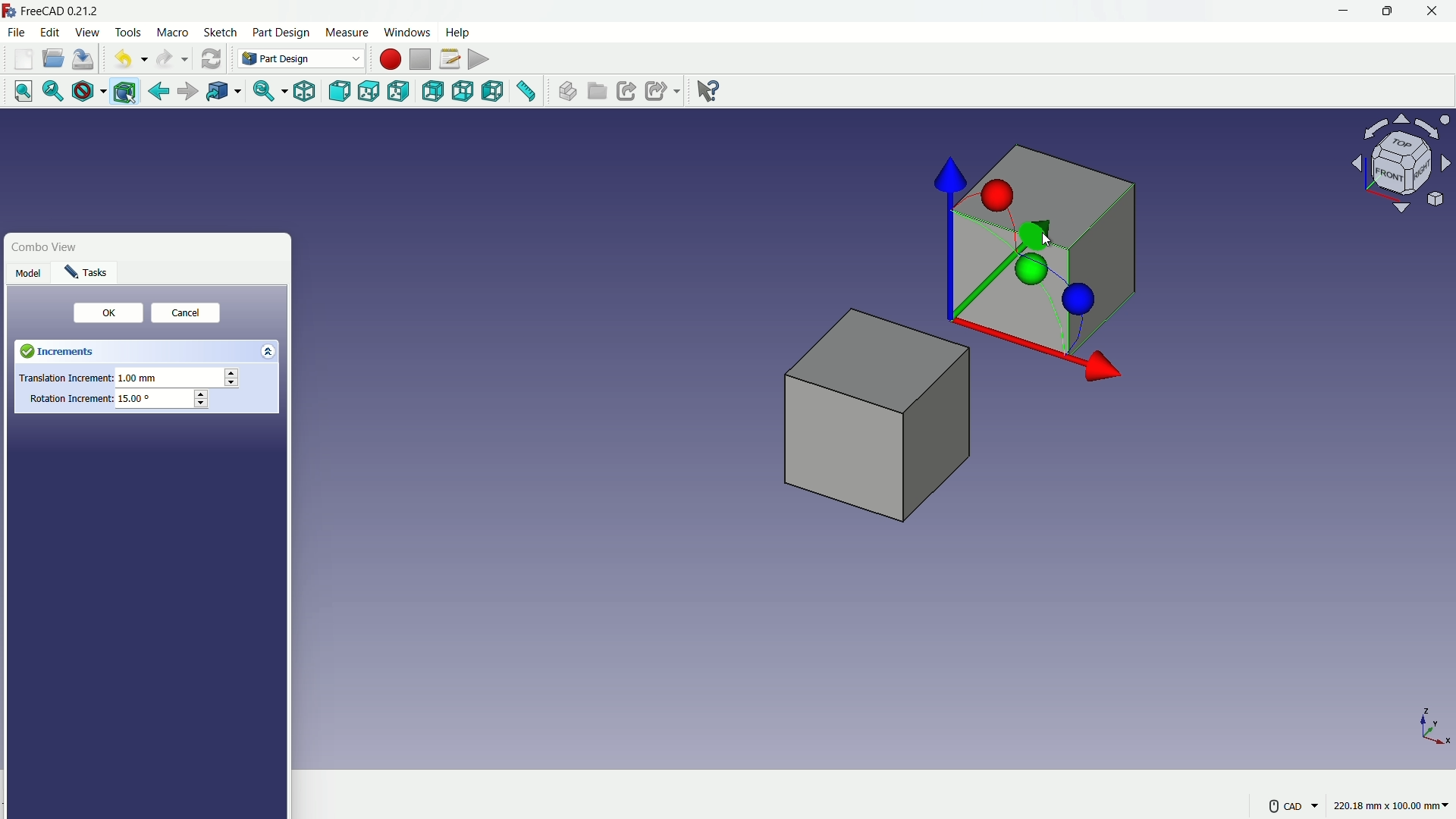  Describe the element at coordinates (127, 60) in the screenshot. I see `undo` at that location.